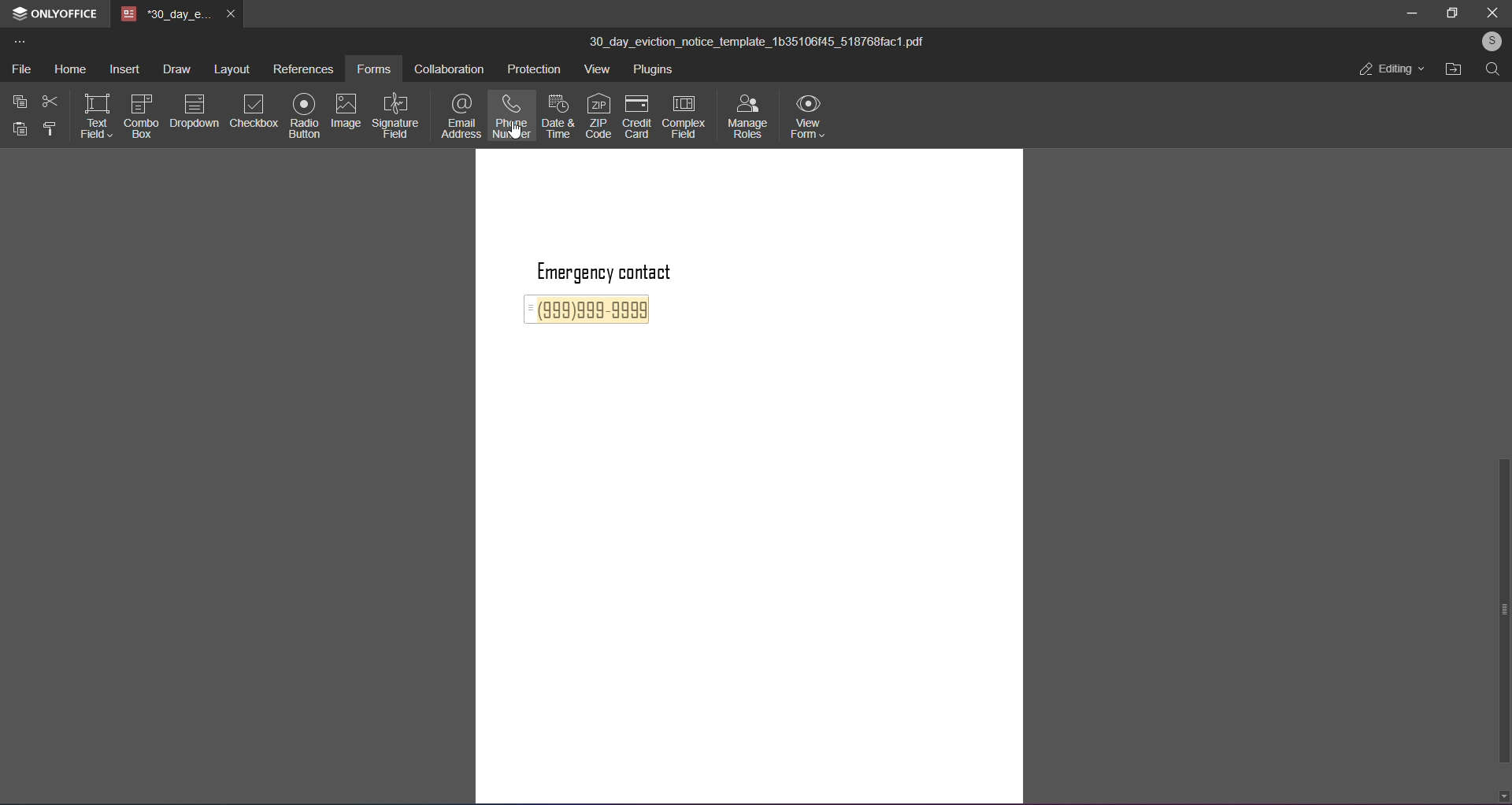 The height and width of the screenshot is (805, 1512). I want to click on tab name, so click(165, 14).